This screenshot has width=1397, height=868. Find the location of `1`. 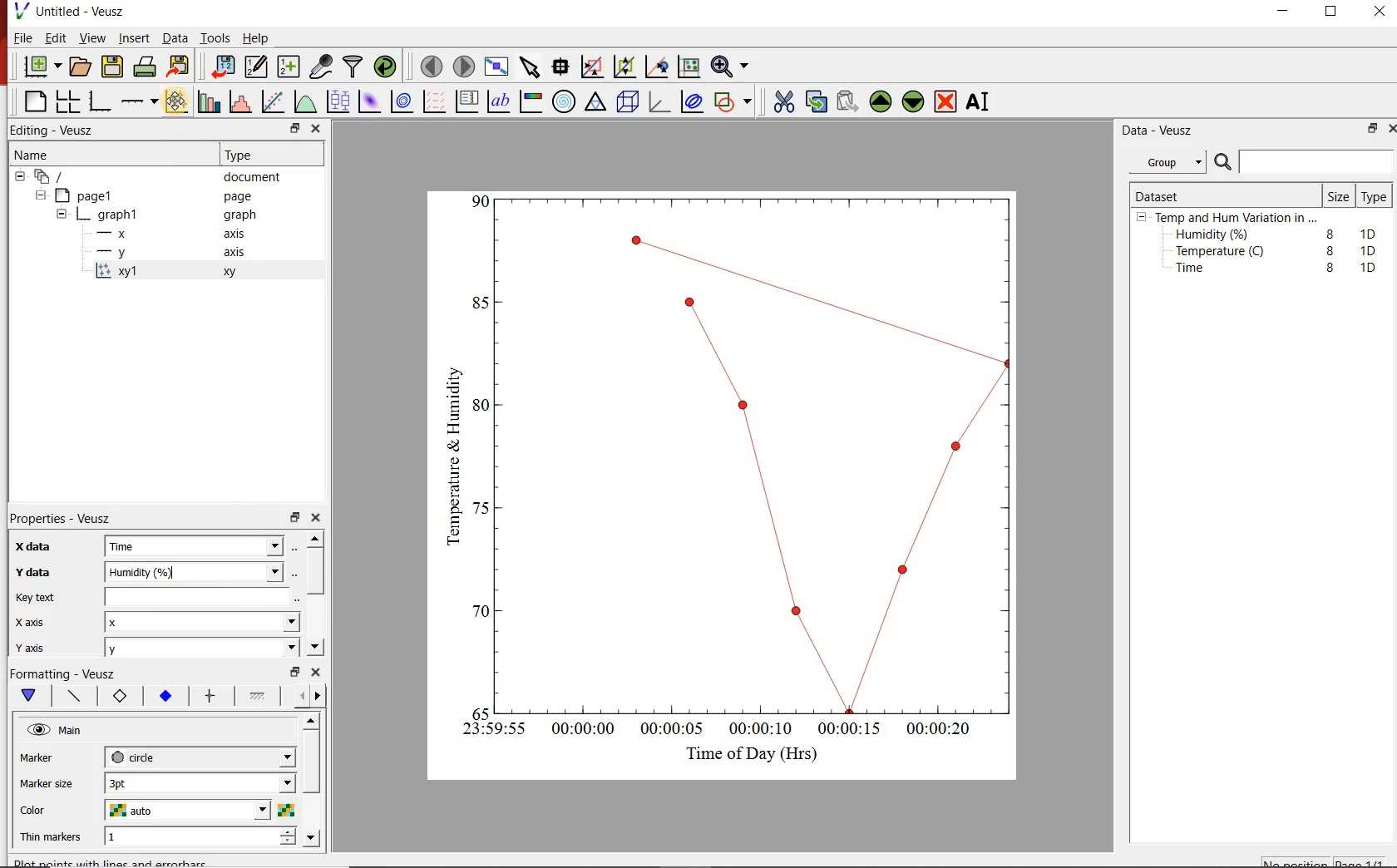

1 is located at coordinates (160, 838).